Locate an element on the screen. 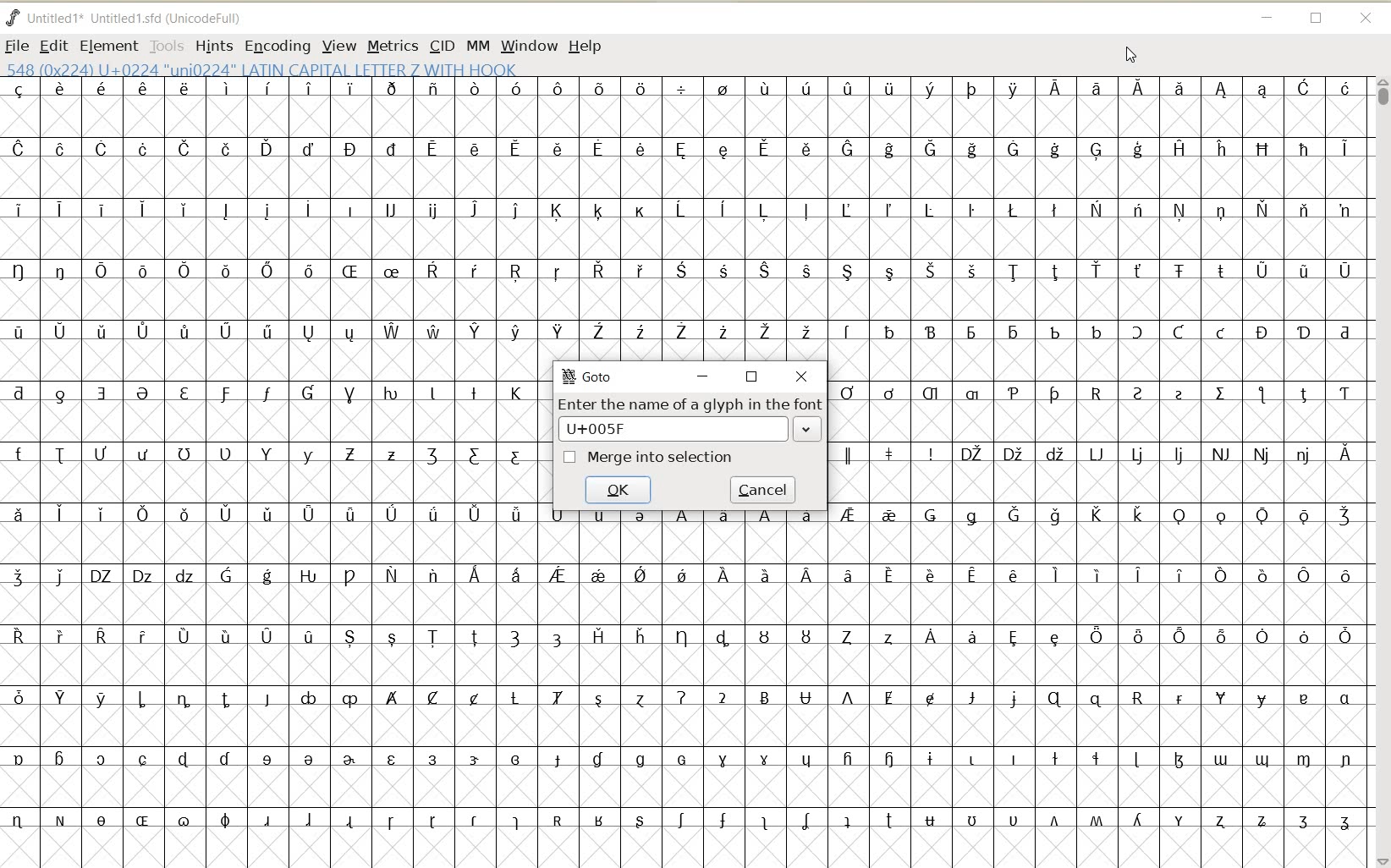  FONTFORGE is located at coordinates (13, 17).